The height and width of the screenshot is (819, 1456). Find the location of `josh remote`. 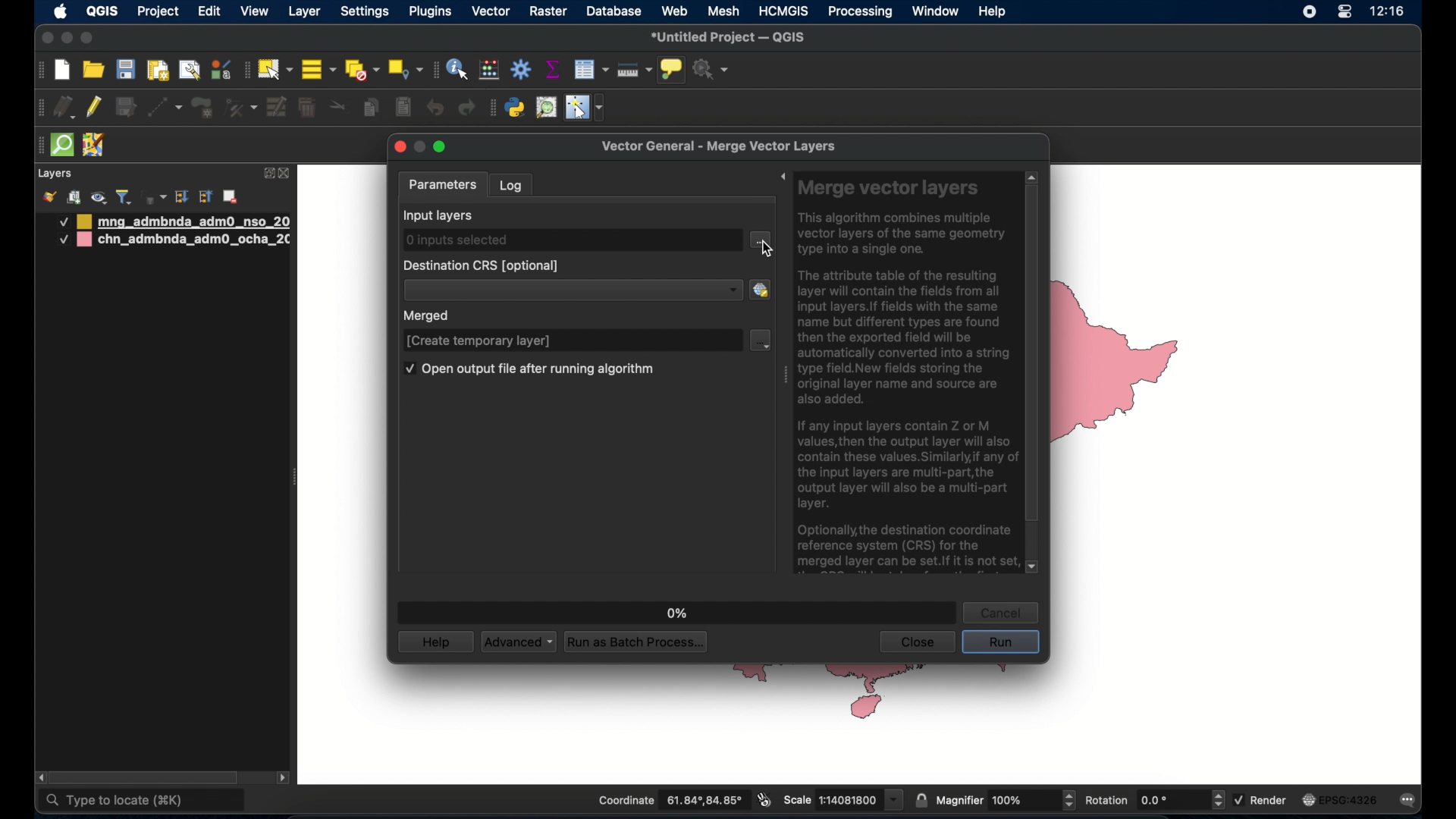

josh remote is located at coordinates (93, 146).